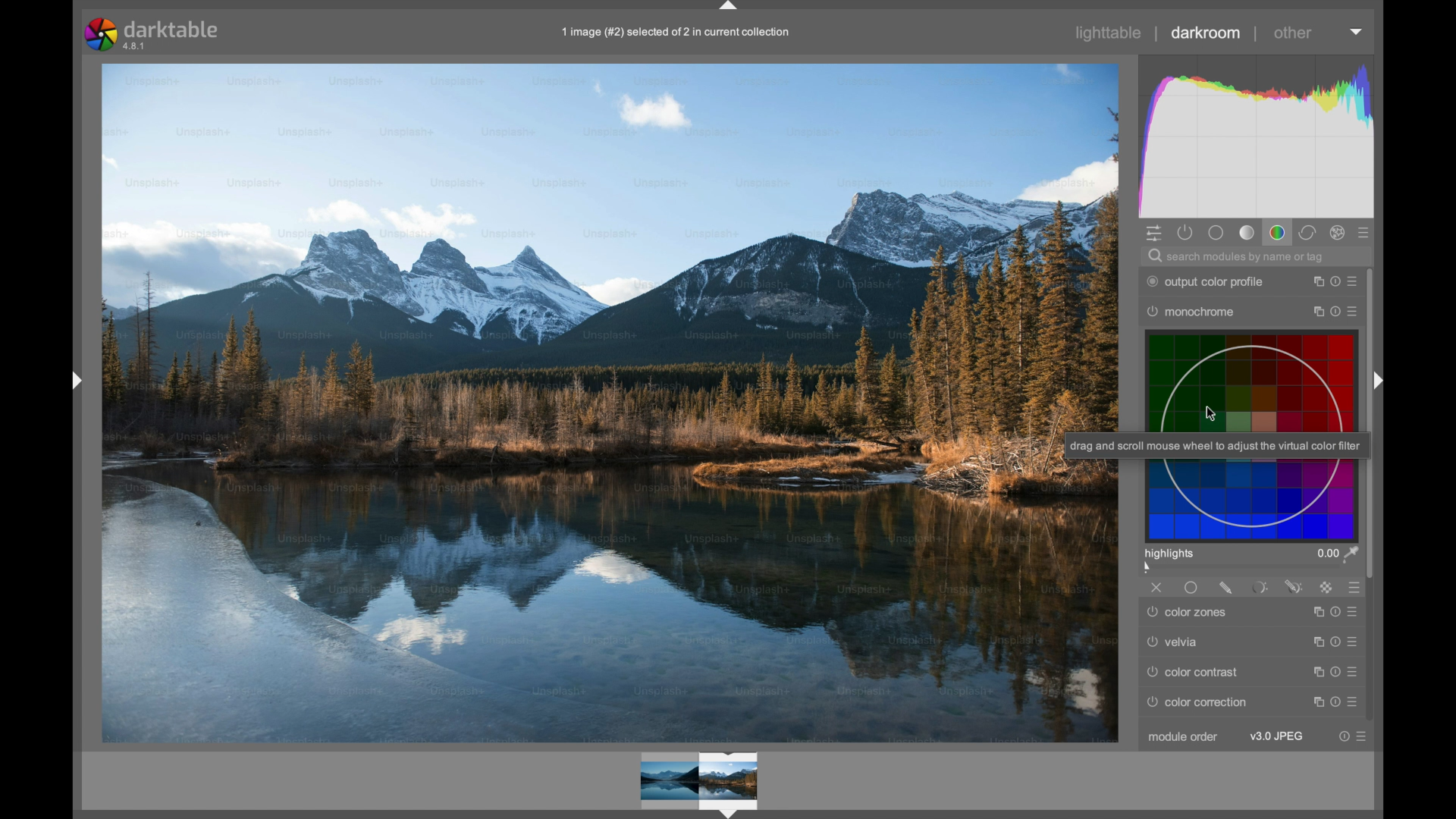 The height and width of the screenshot is (819, 1456). Describe the element at coordinates (1172, 642) in the screenshot. I see `velvia` at that location.